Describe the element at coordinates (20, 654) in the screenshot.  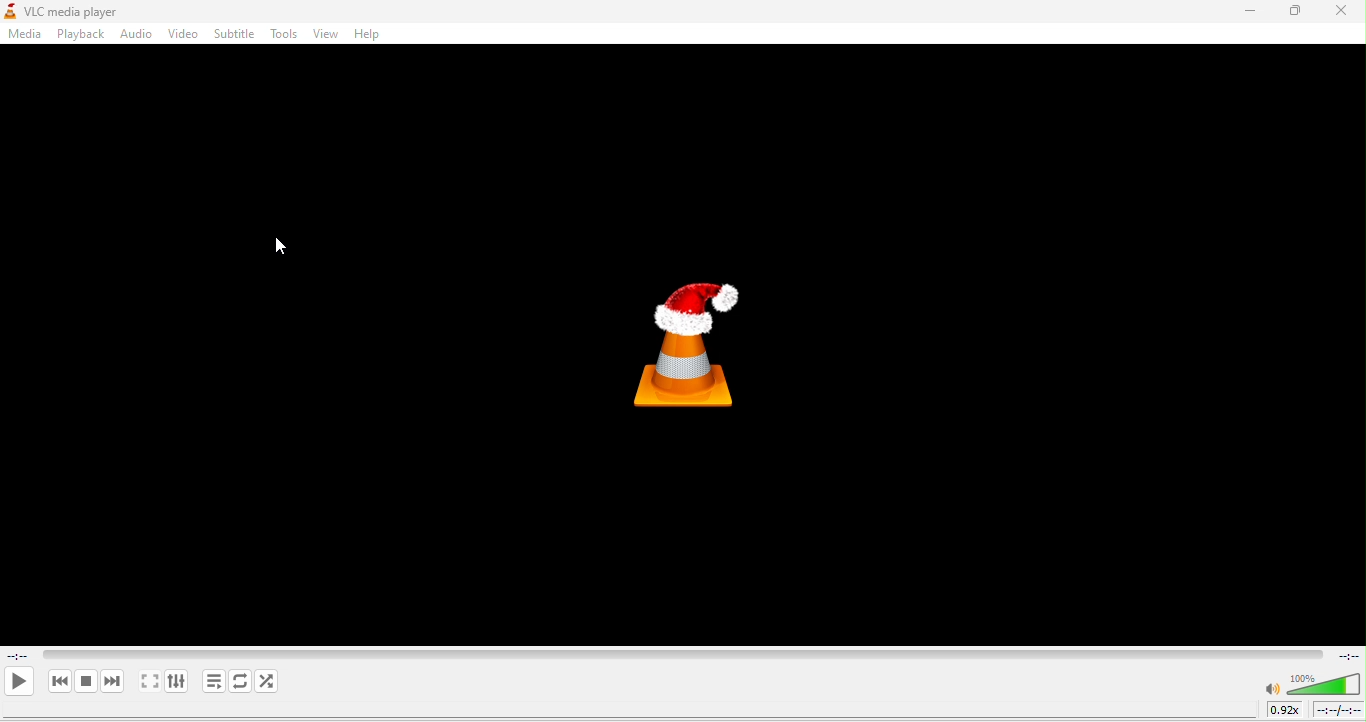
I see `elapsed time` at that location.